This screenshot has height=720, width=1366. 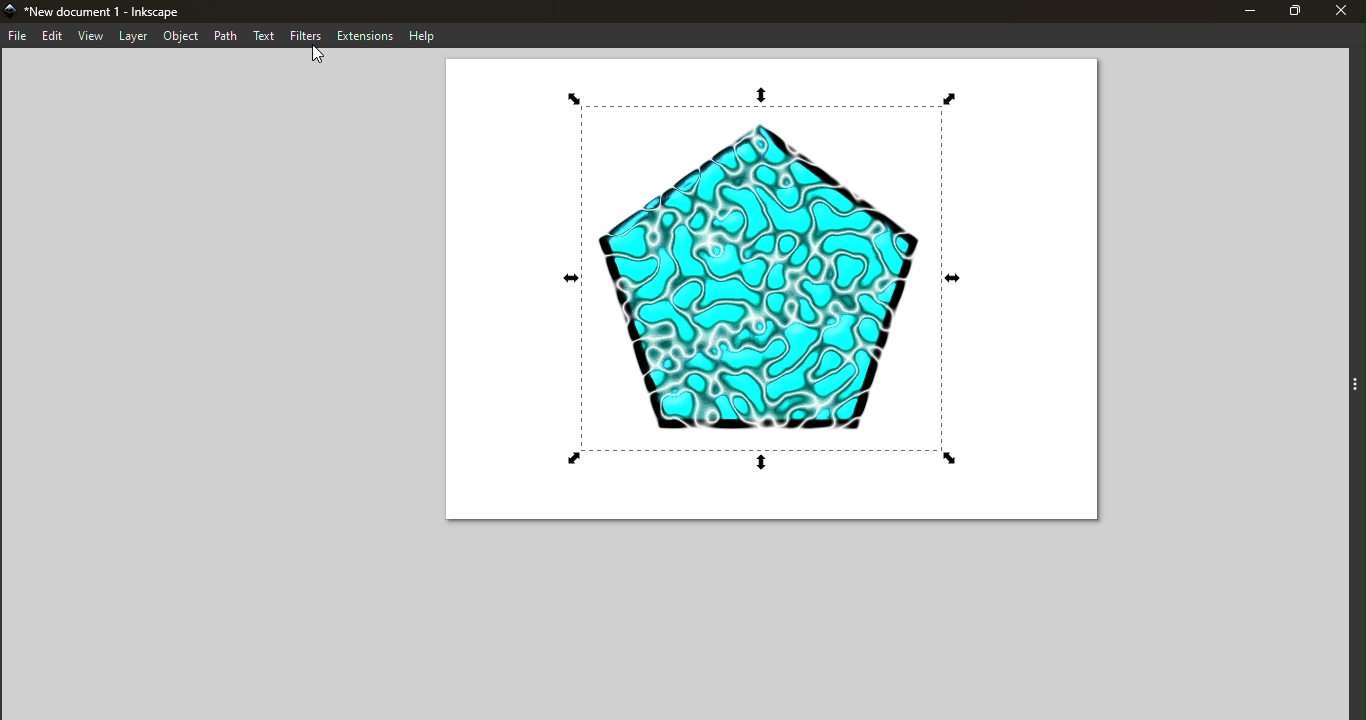 What do you see at coordinates (226, 36) in the screenshot?
I see `Path` at bounding box center [226, 36].